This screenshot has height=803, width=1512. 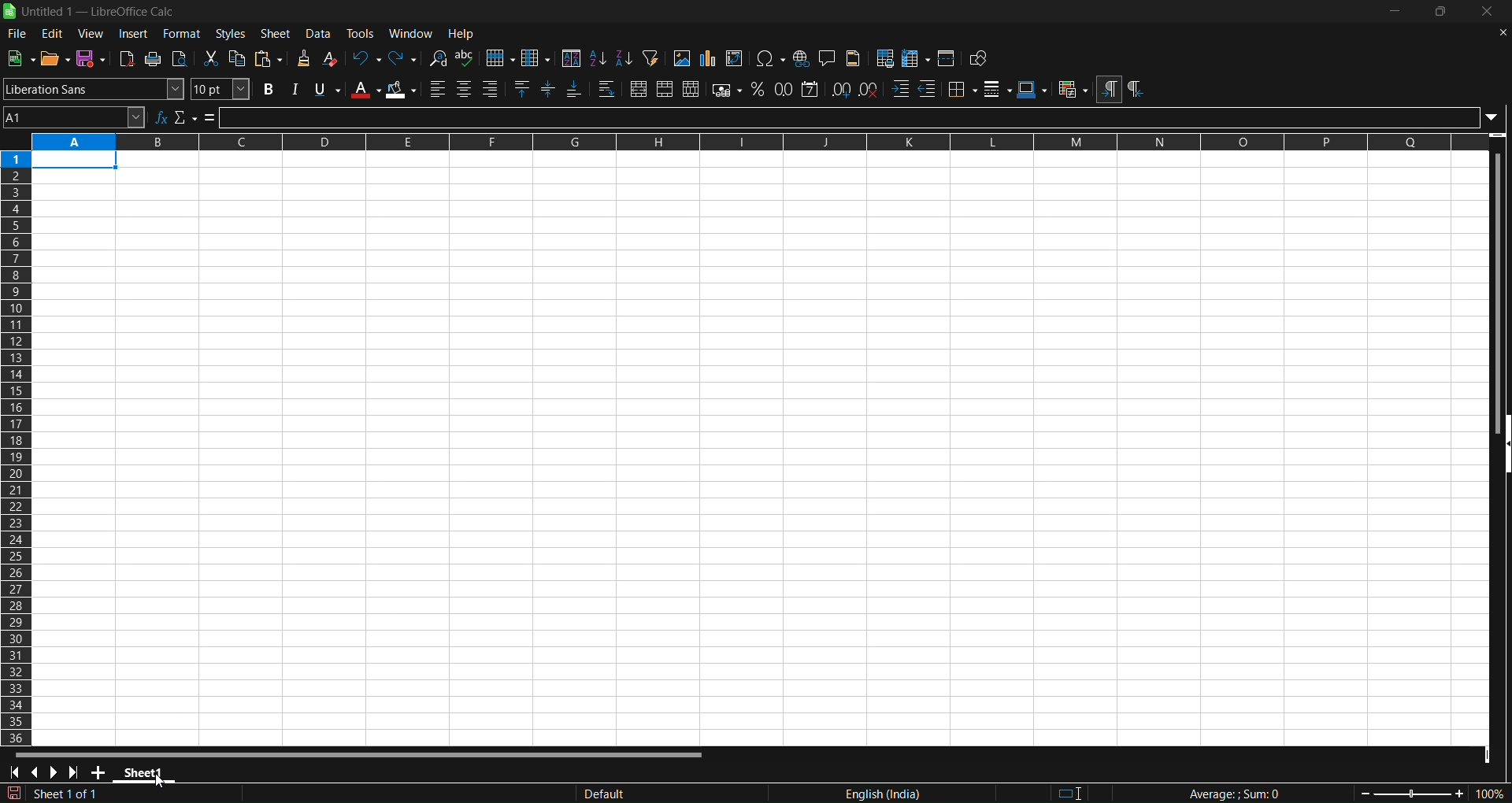 I want to click on standard selection, so click(x=1080, y=791).